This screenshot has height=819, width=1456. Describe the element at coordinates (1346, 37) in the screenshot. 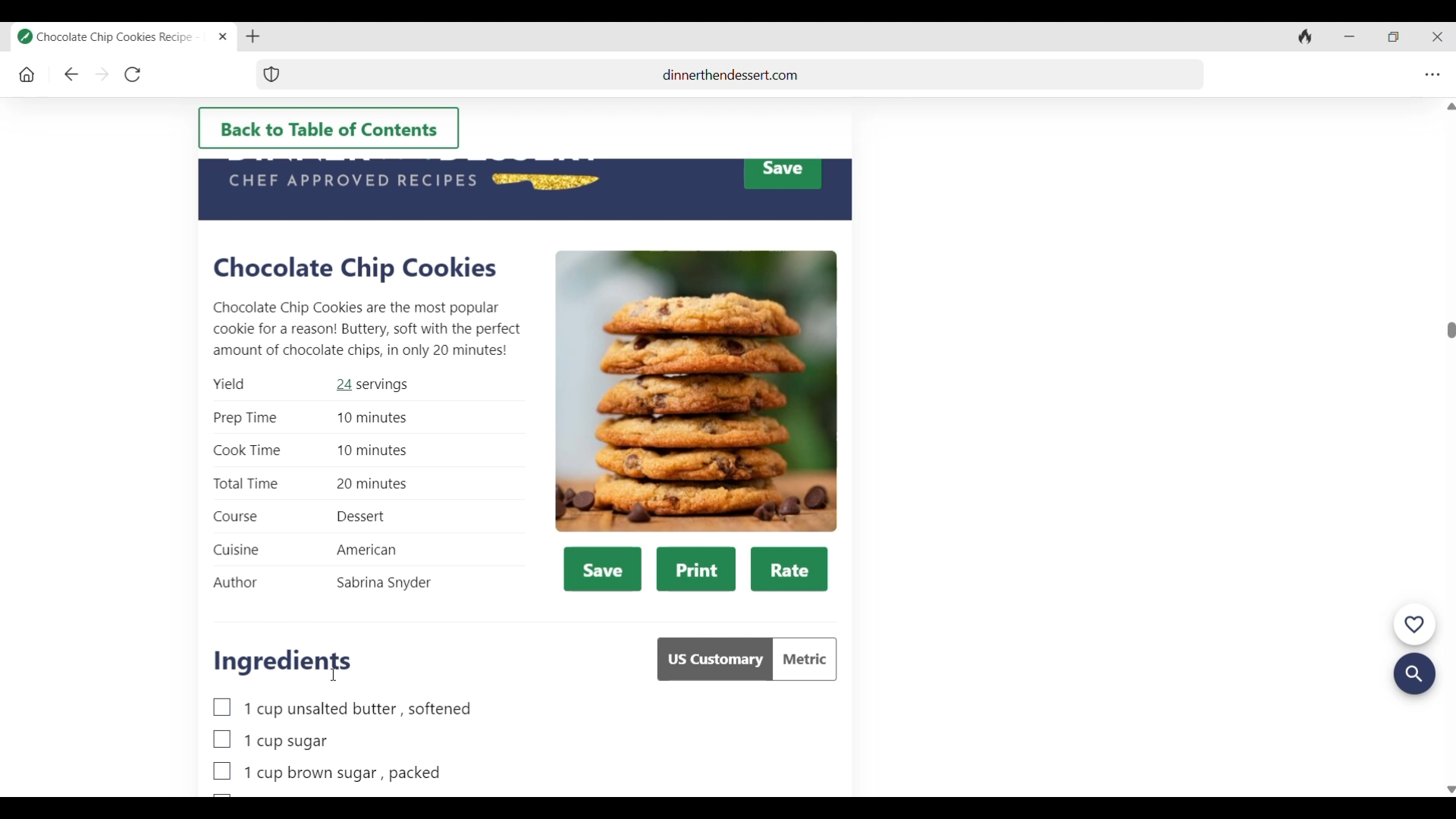

I see `Minimize` at that location.